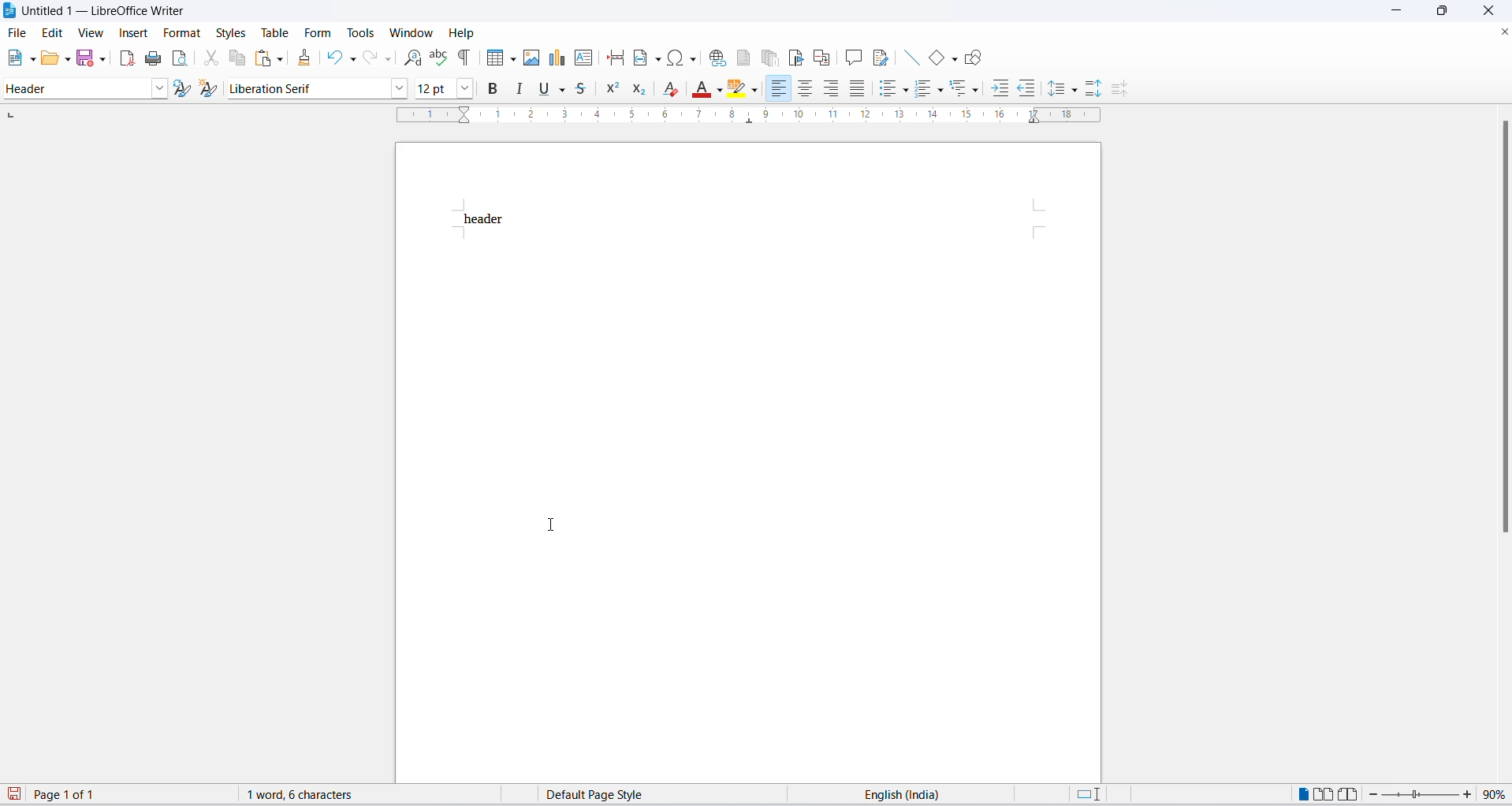  I want to click on basic shapes options, so click(953, 60).